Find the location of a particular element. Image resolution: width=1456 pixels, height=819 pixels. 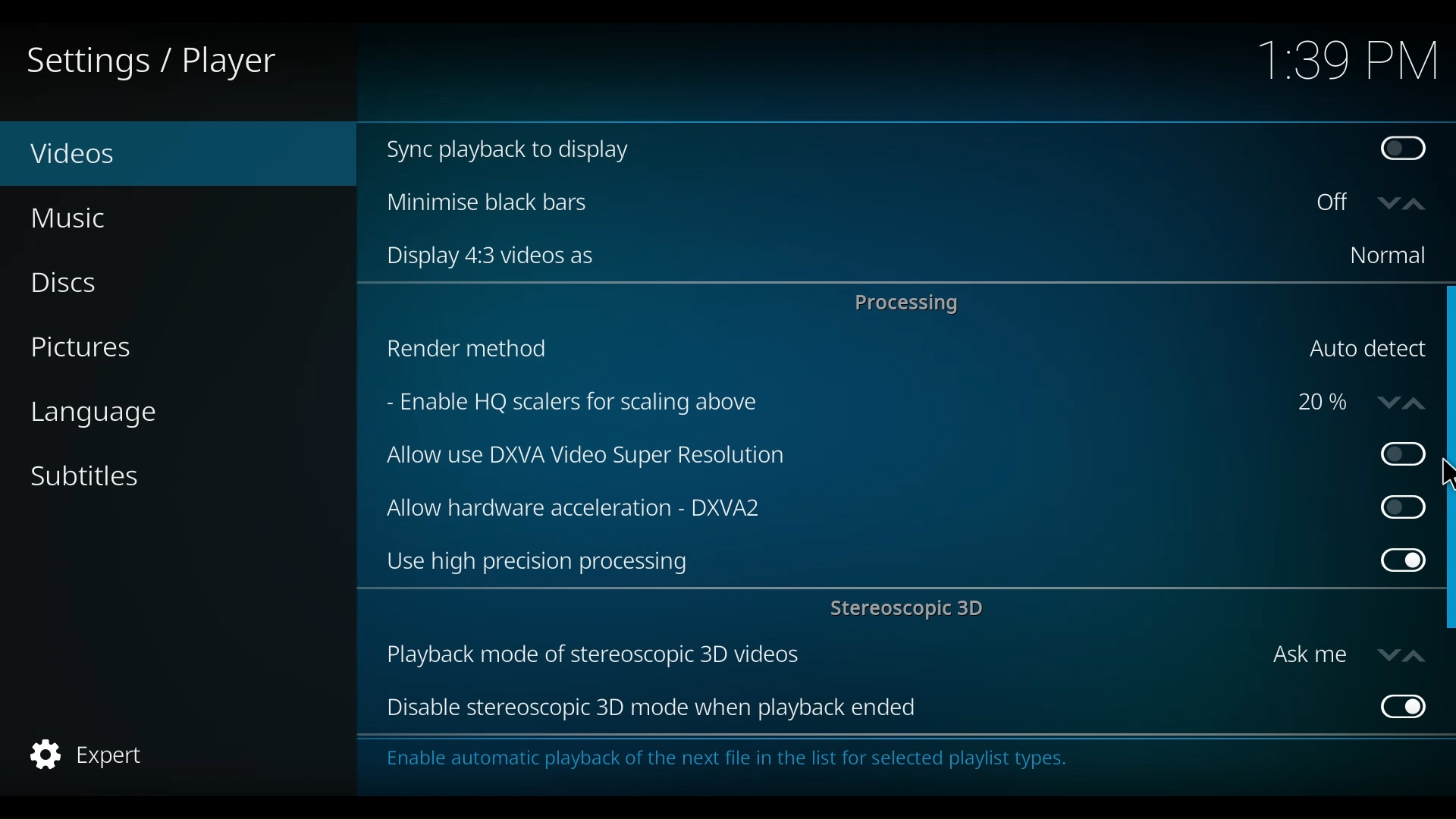

Vertical Scrollbar is located at coordinates (1447, 367).